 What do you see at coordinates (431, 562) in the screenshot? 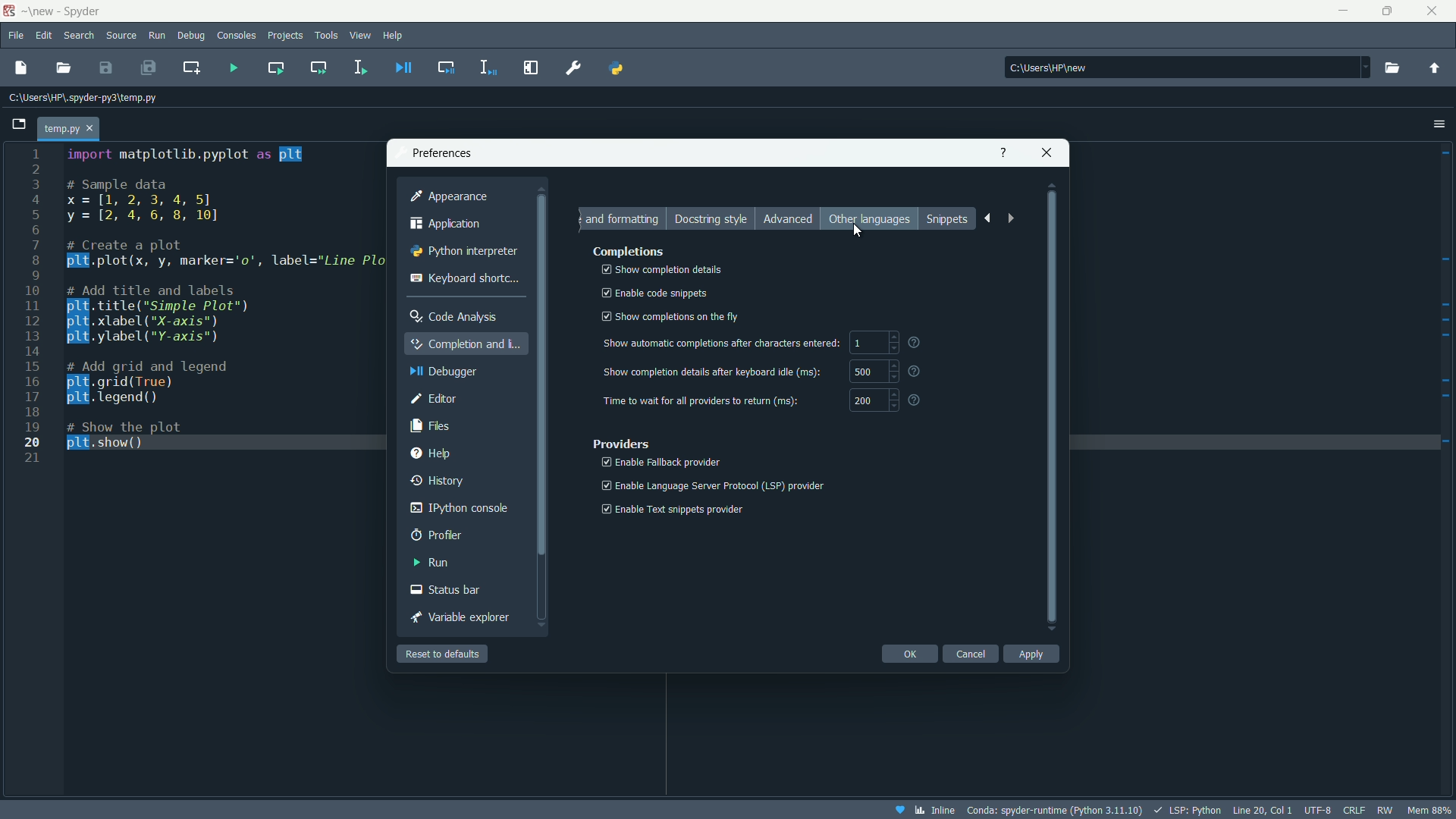
I see `run` at bounding box center [431, 562].